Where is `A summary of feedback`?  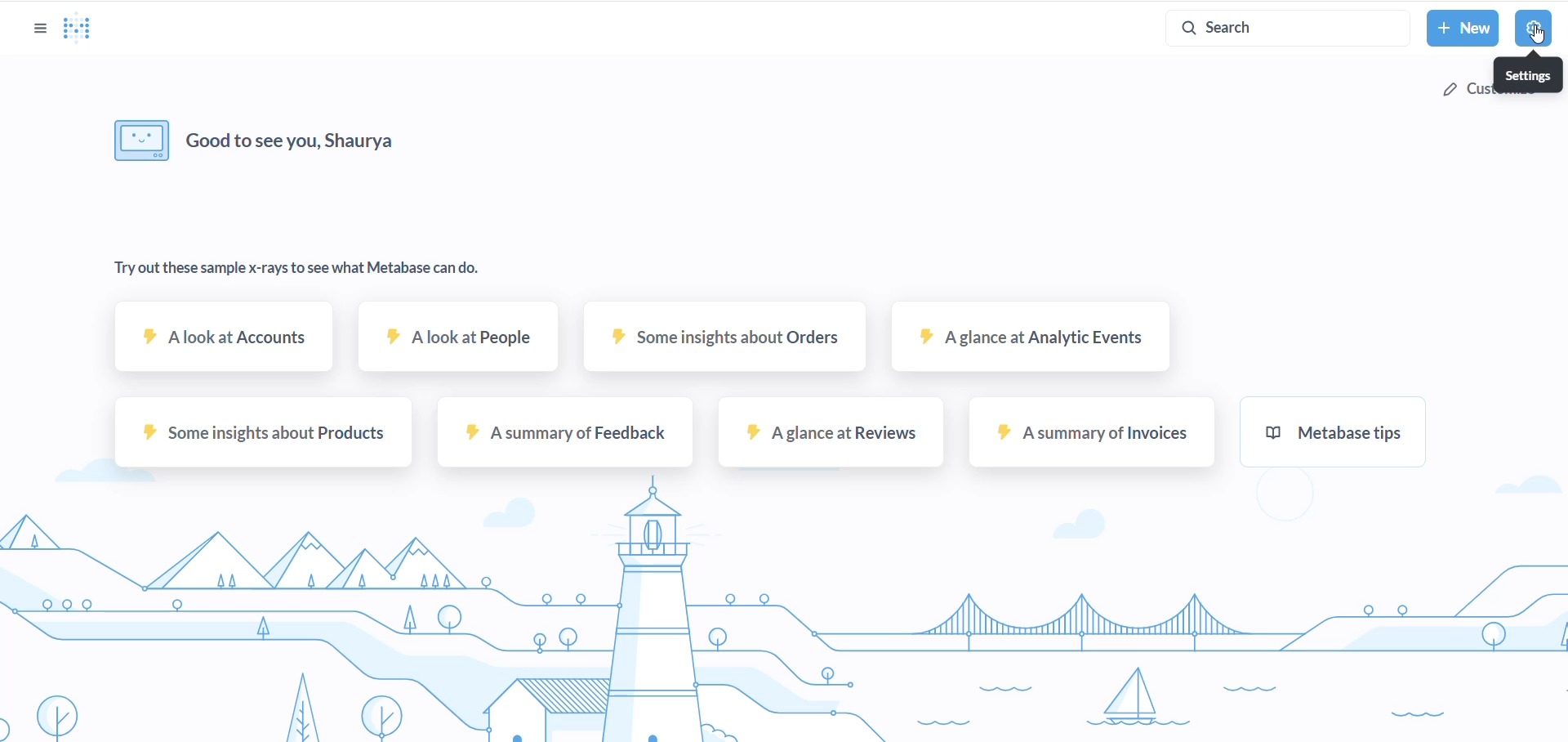
A summary of feedback is located at coordinates (566, 440).